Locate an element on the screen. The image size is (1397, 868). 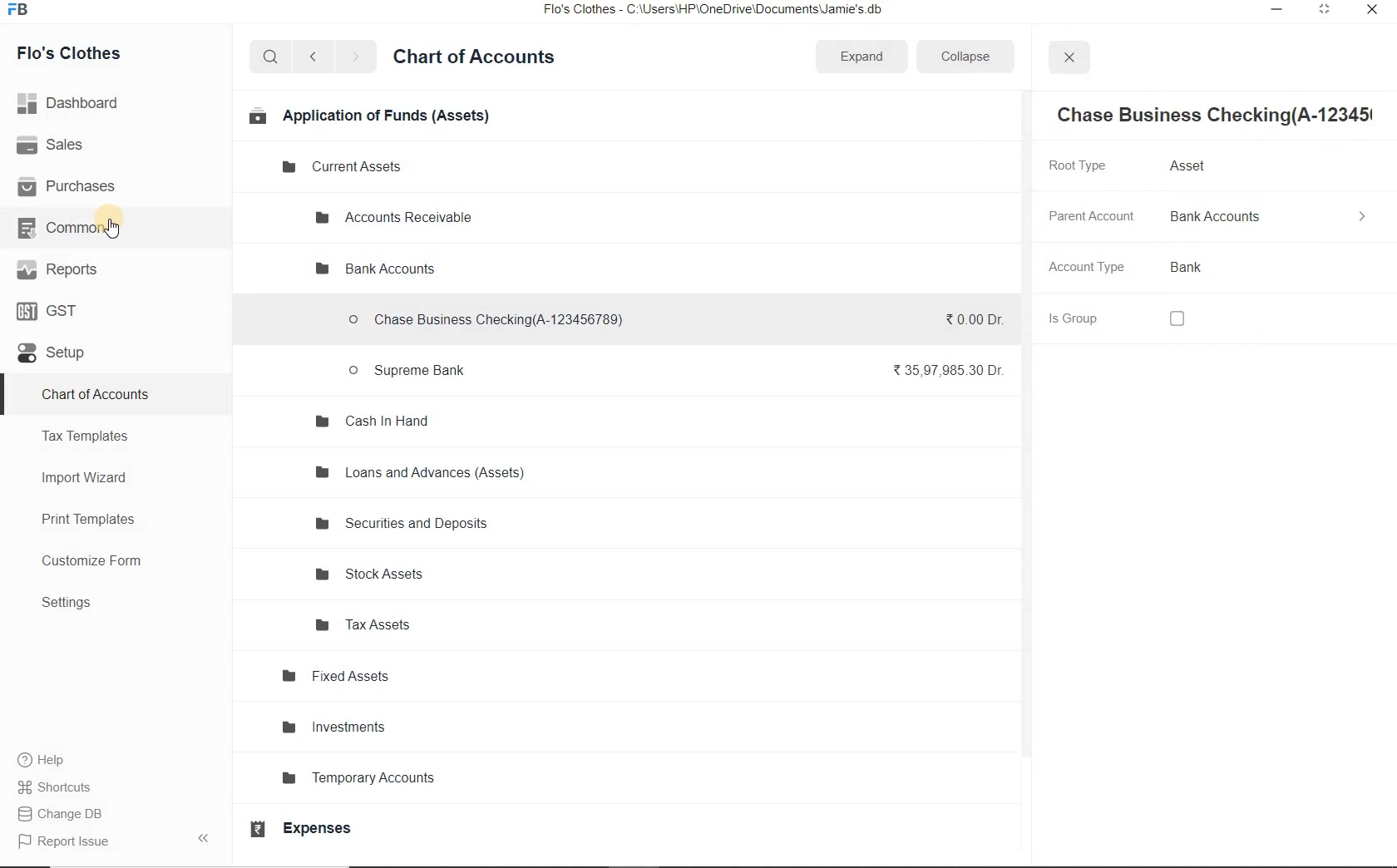
Chart of Accounts is located at coordinates (483, 55).